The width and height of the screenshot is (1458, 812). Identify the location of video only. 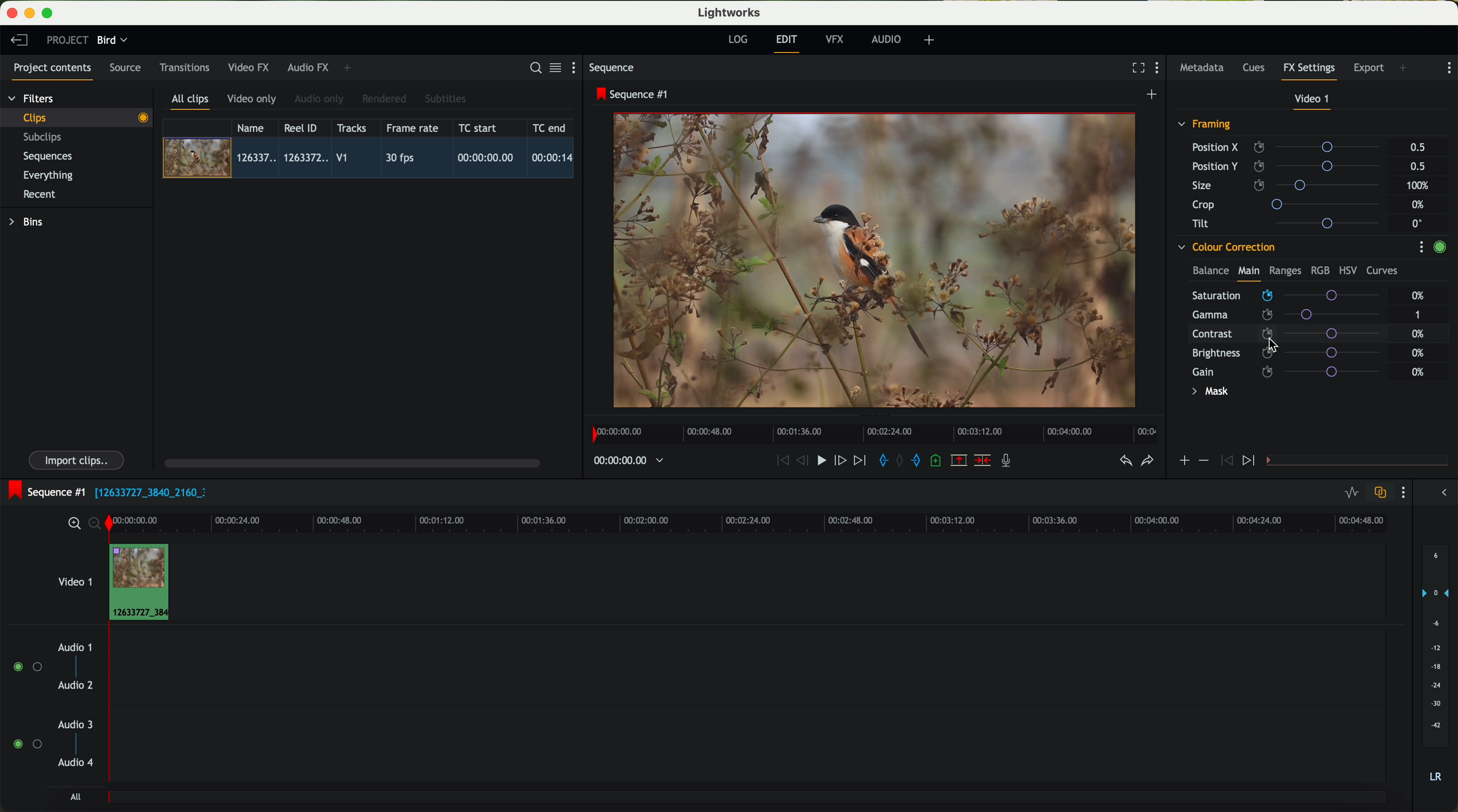
(251, 100).